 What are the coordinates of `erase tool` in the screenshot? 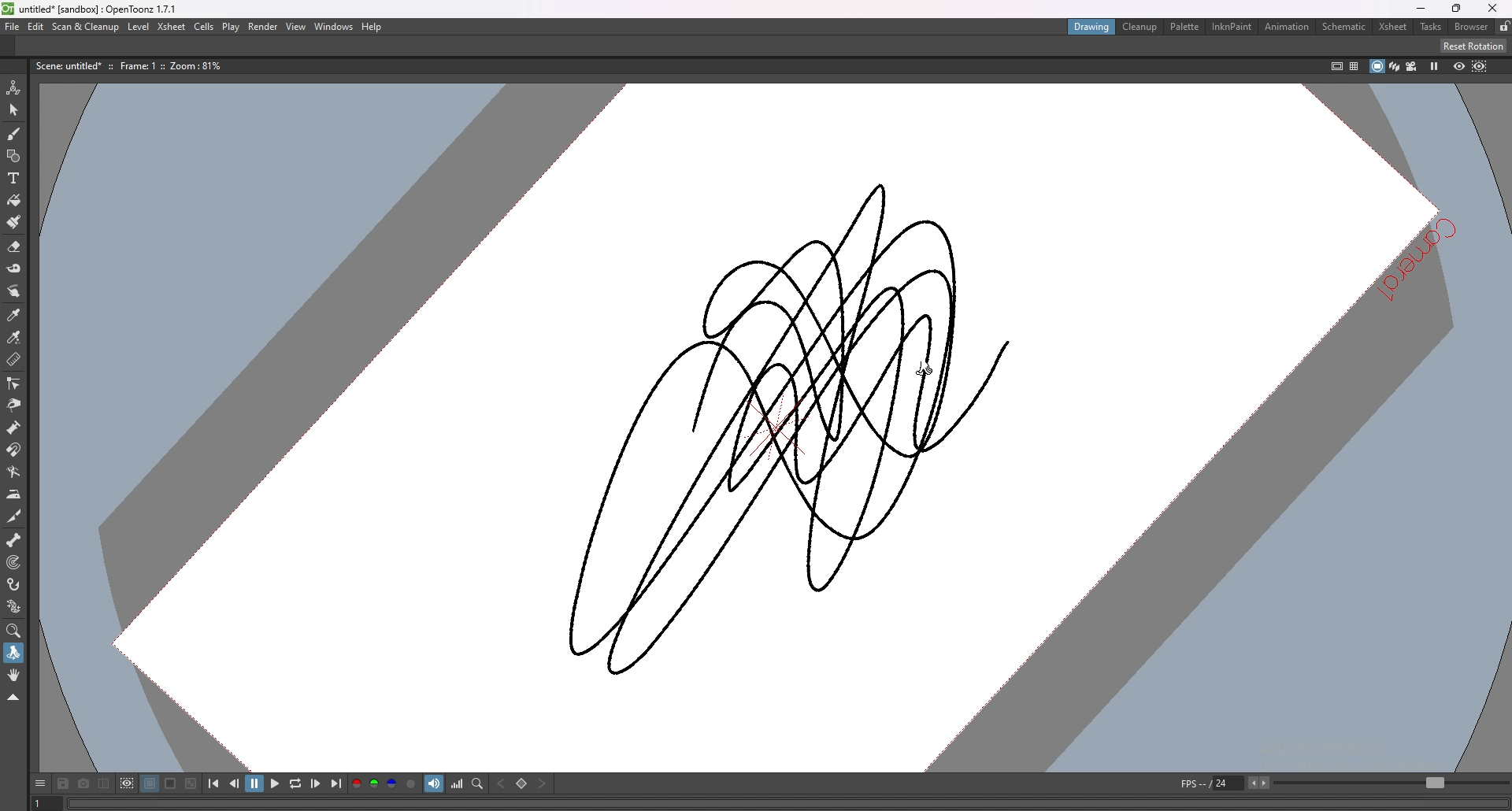 It's located at (15, 246).